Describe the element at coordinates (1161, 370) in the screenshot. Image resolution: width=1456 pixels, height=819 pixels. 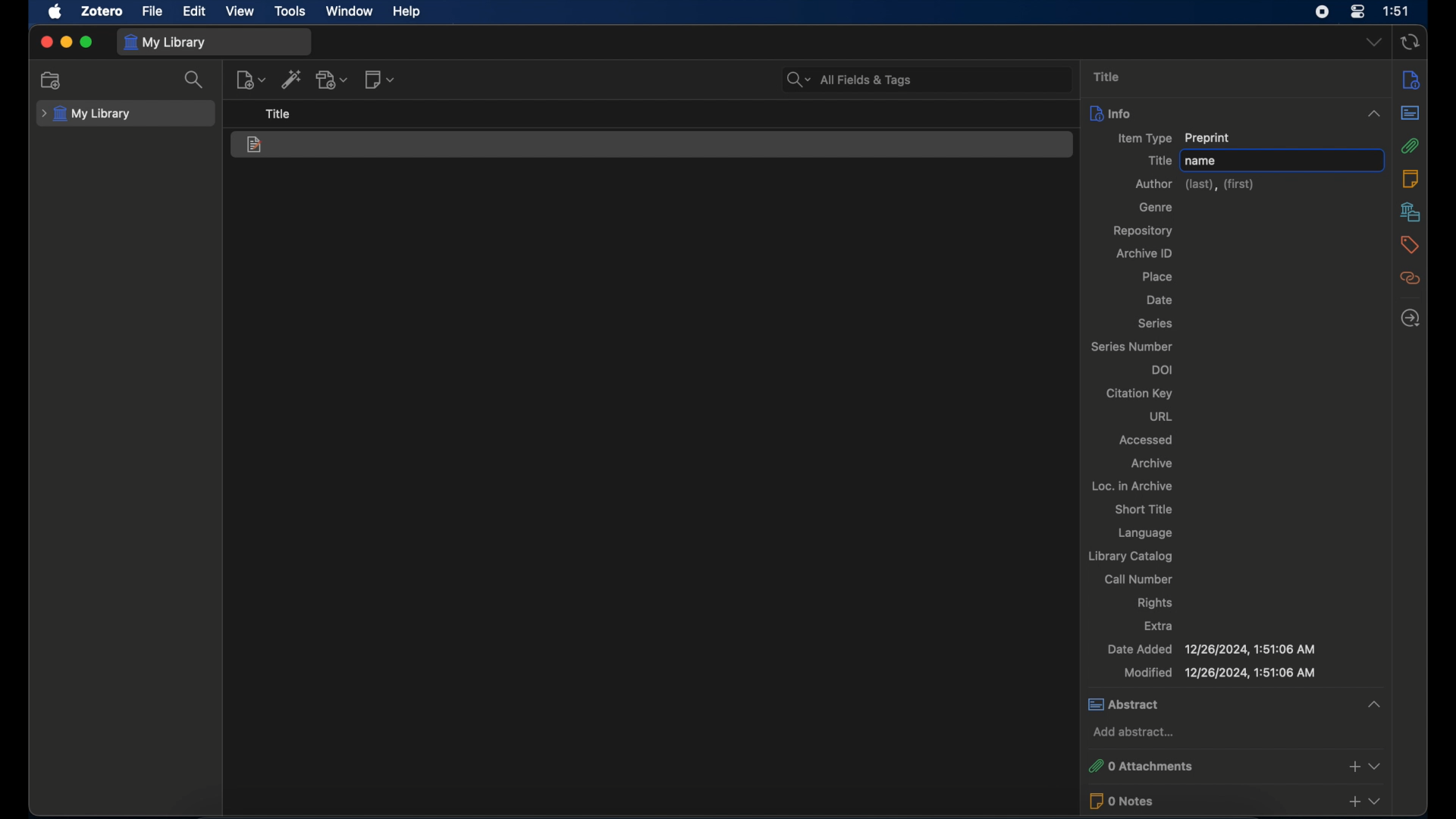
I see `doi` at that location.